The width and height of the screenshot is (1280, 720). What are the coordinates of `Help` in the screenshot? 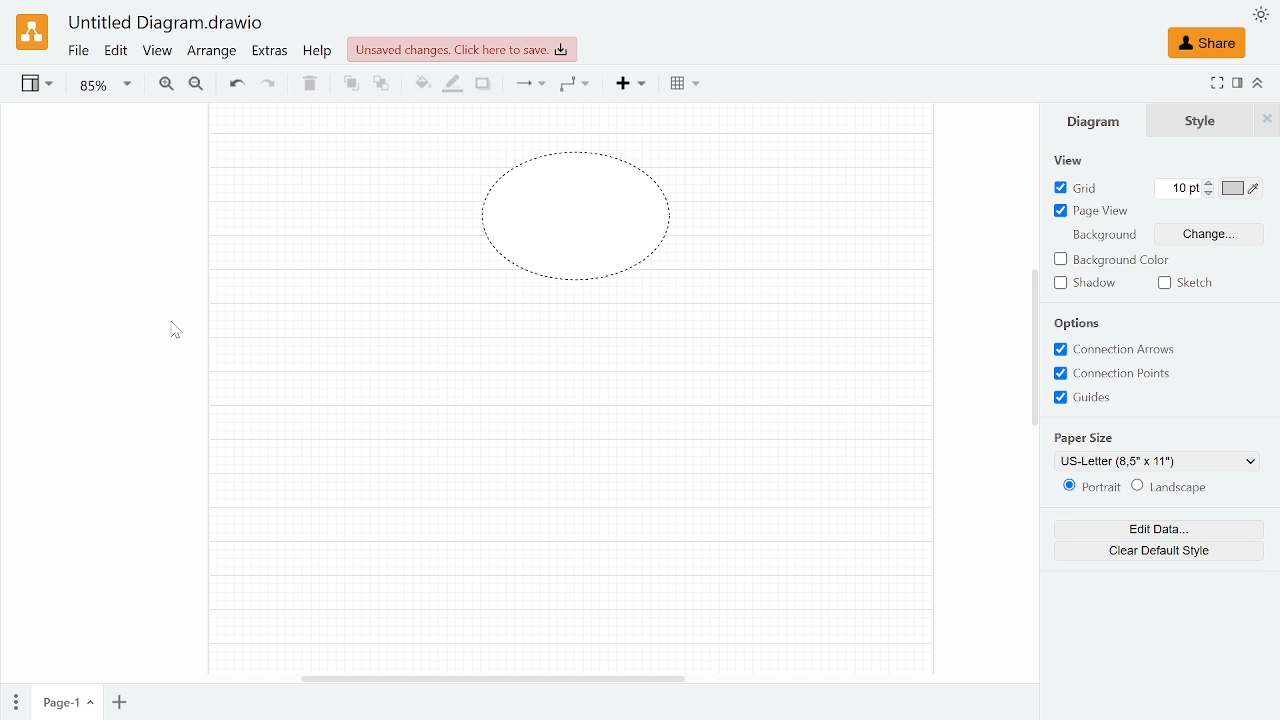 It's located at (318, 52).